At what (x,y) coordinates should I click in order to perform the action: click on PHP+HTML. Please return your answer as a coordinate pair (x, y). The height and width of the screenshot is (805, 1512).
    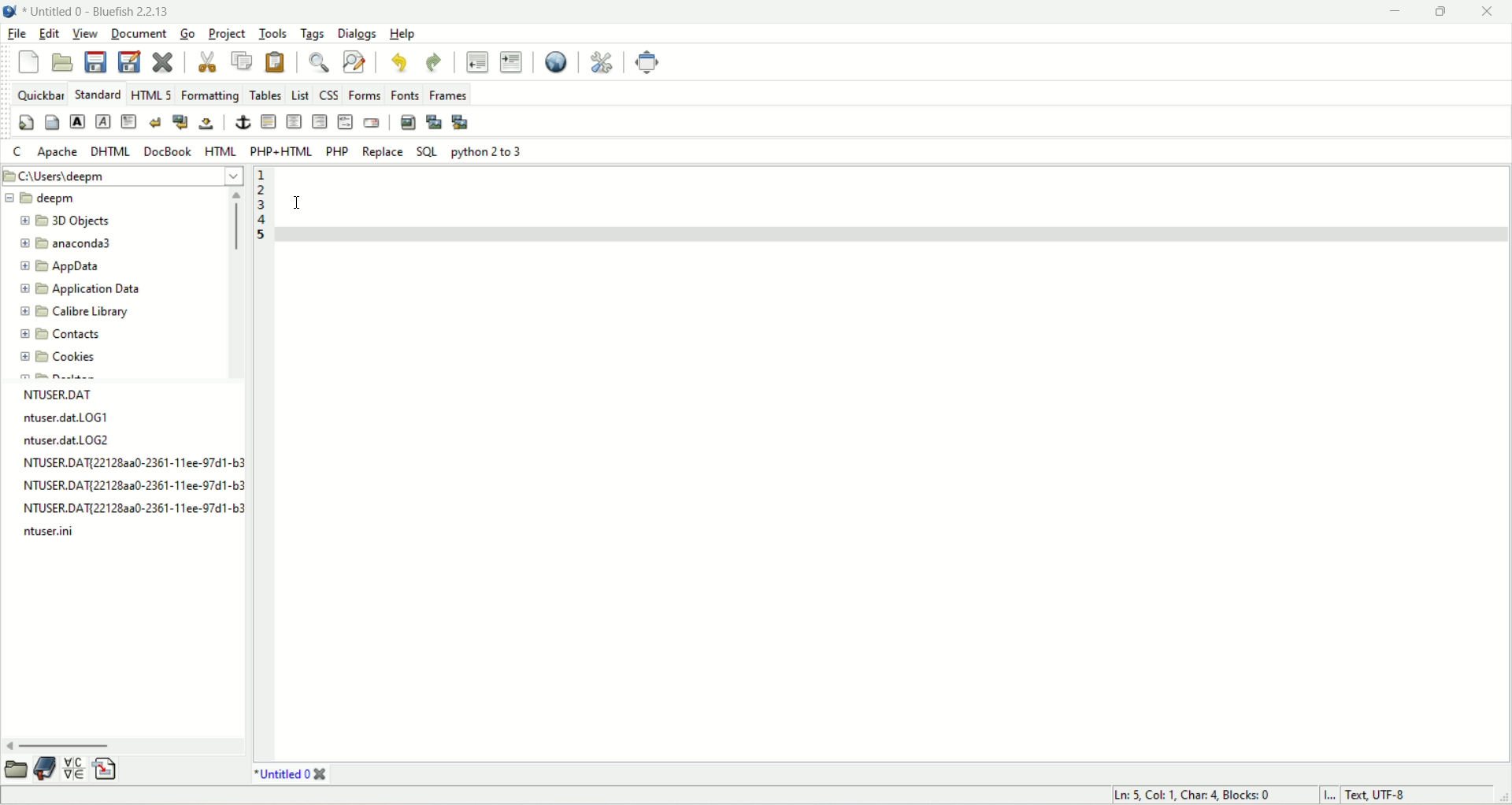
    Looking at the image, I should click on (282, 151).